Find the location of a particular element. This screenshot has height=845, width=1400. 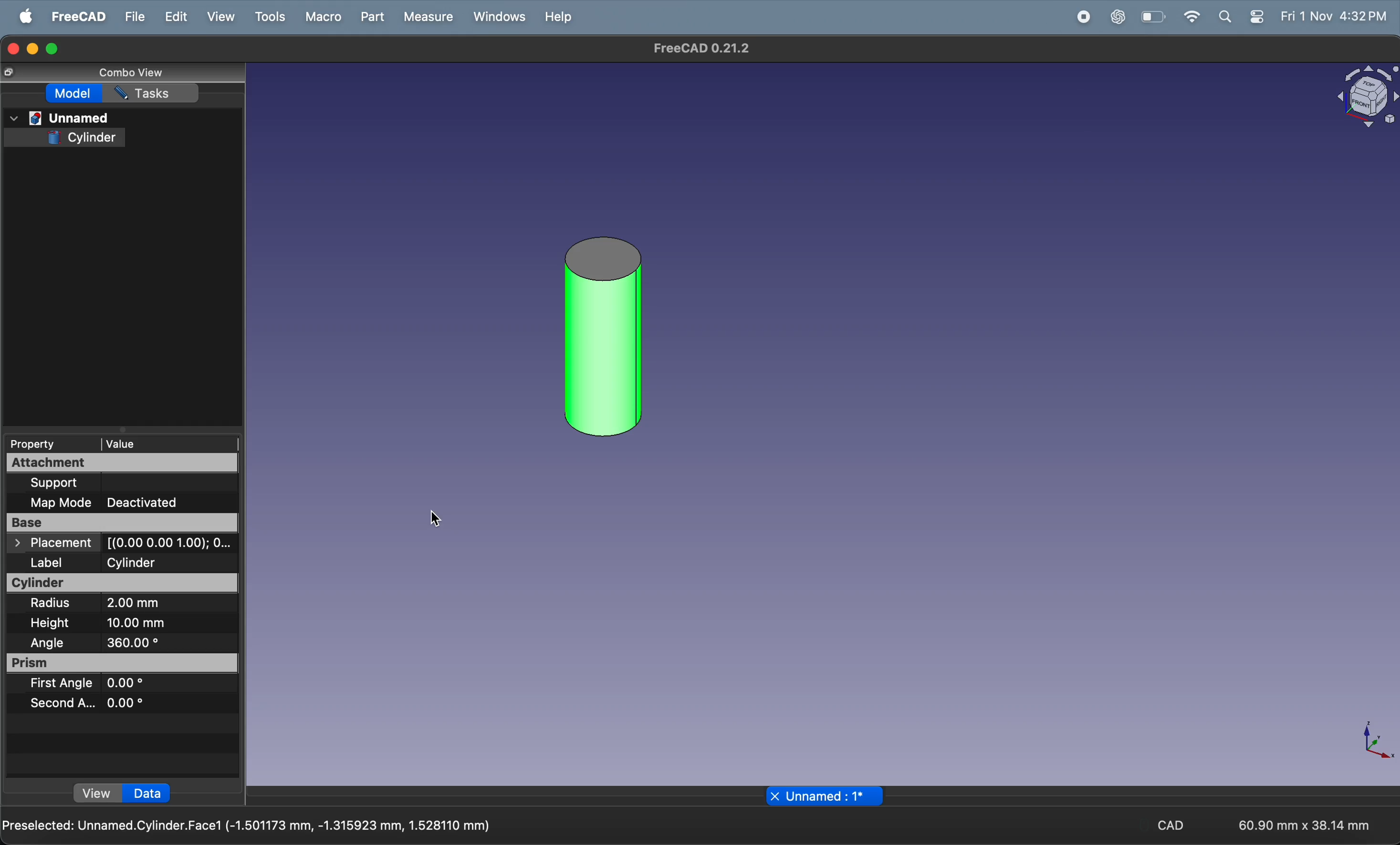

support is located at coordinates (102, 482).